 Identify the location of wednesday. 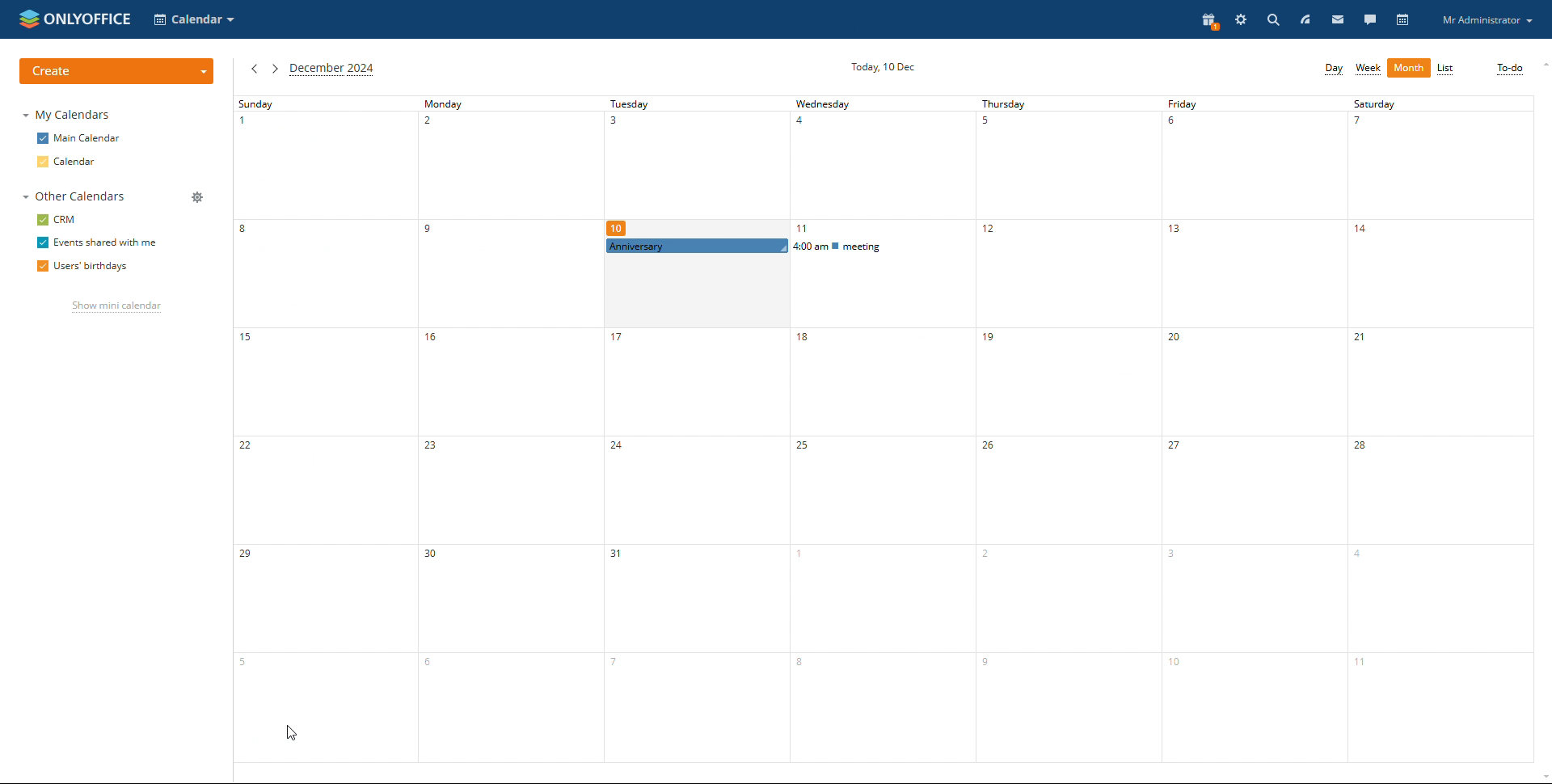
(878, 166).